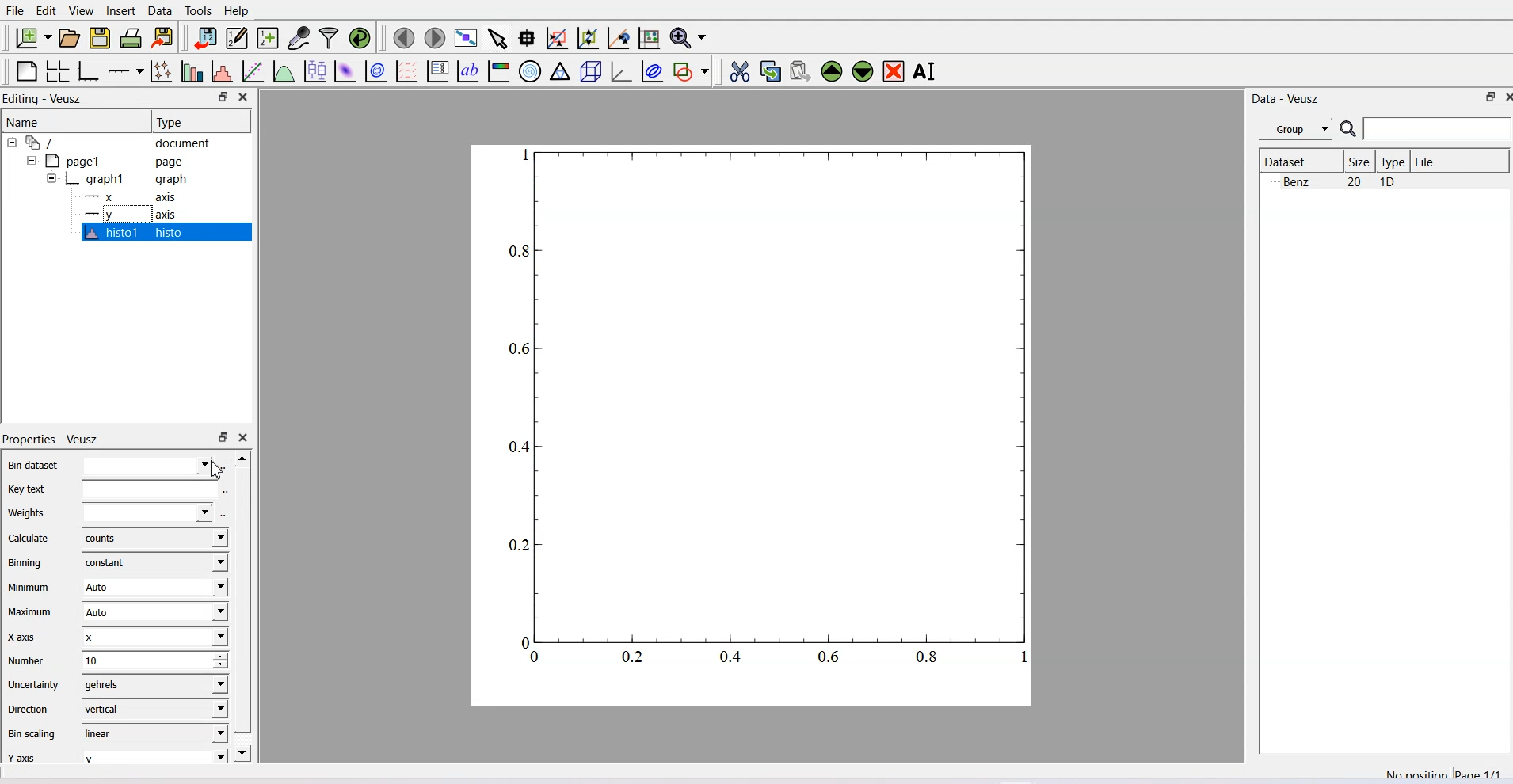  Describe the element at coordinates (135, 197) in the screenshot. I see `X Axis` at that location.